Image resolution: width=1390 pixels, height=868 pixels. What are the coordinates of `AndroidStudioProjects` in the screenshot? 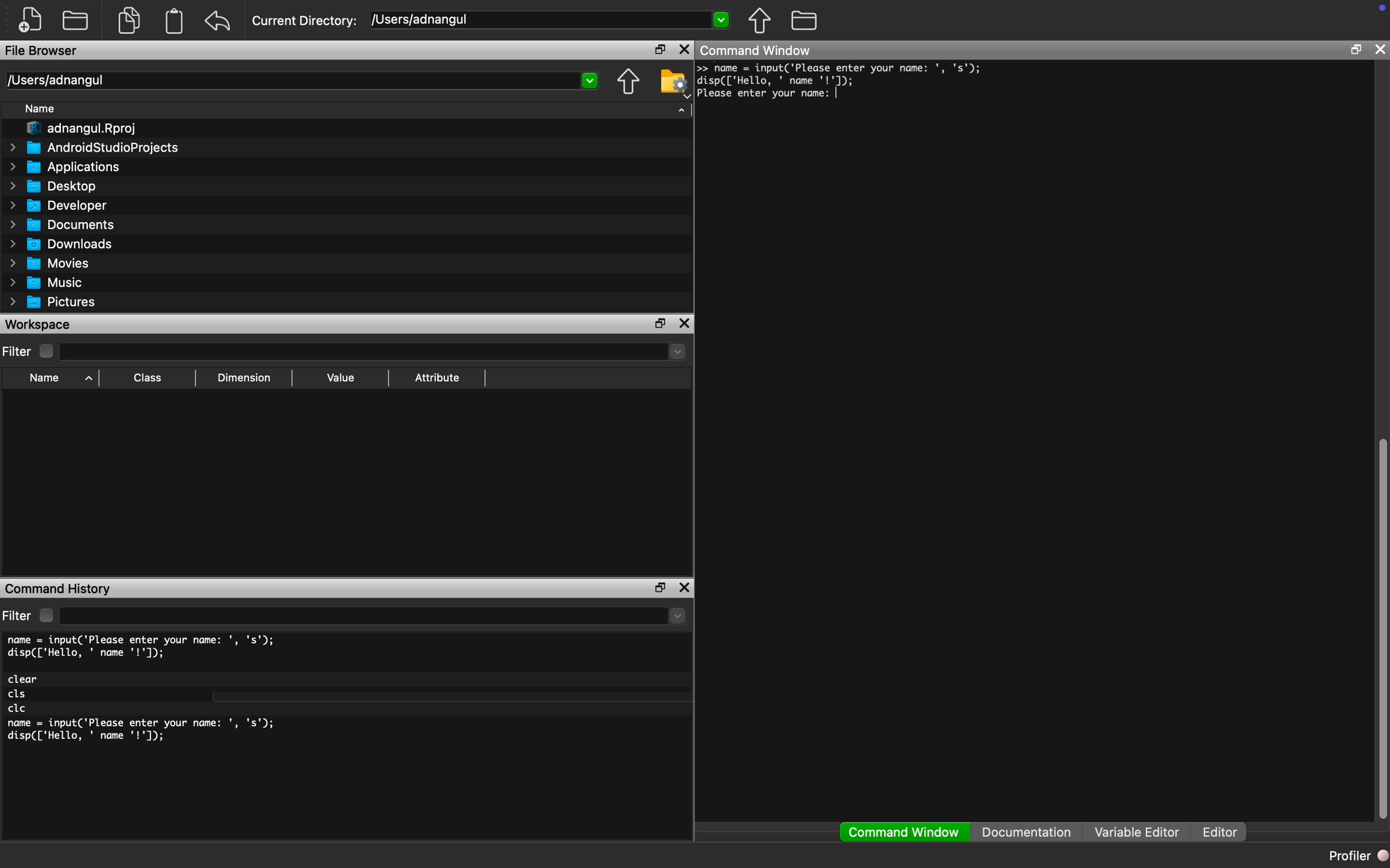 It's located at (94, 147).